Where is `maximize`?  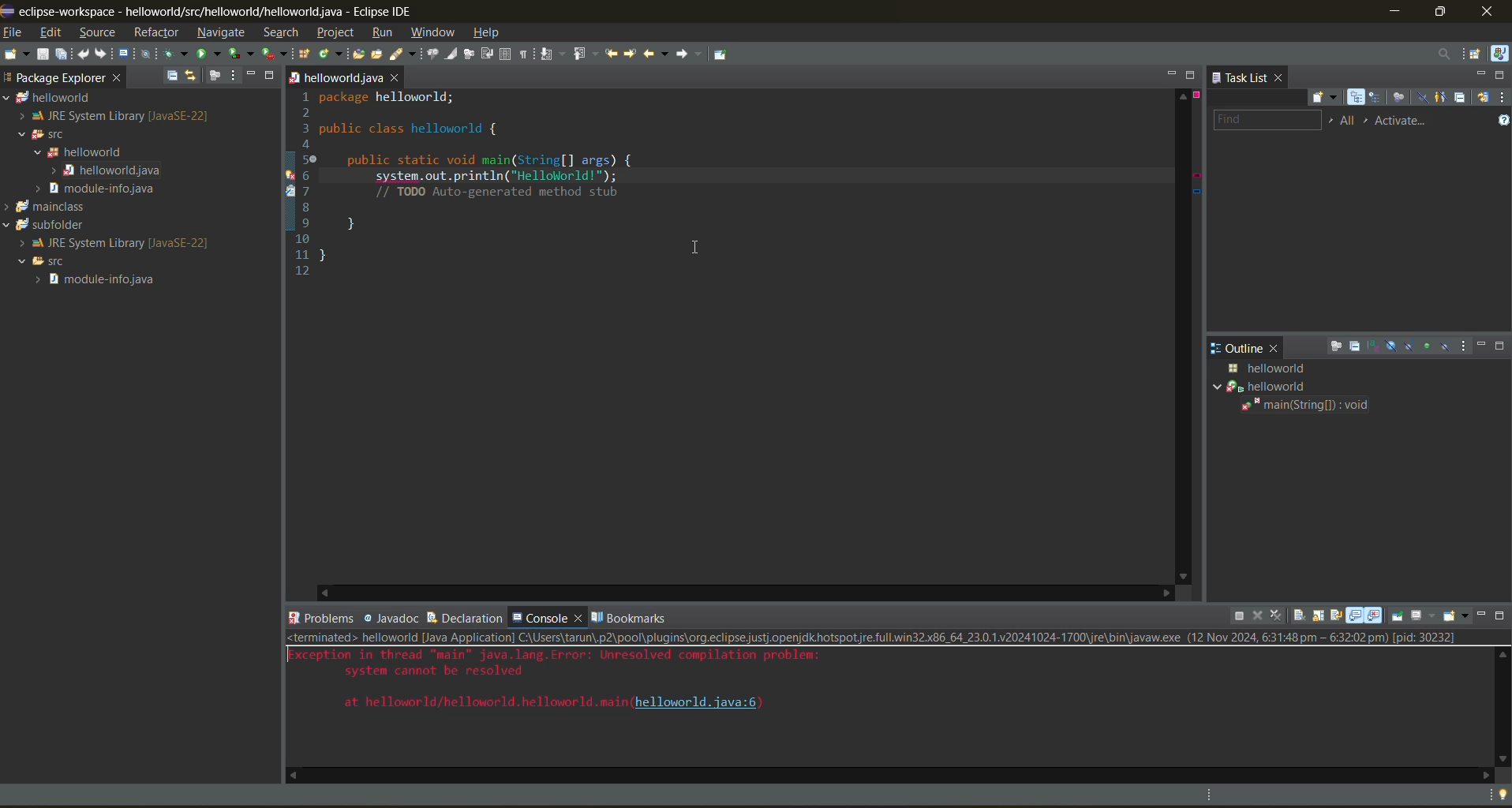 maximize is located at coordinates (1503, 619).